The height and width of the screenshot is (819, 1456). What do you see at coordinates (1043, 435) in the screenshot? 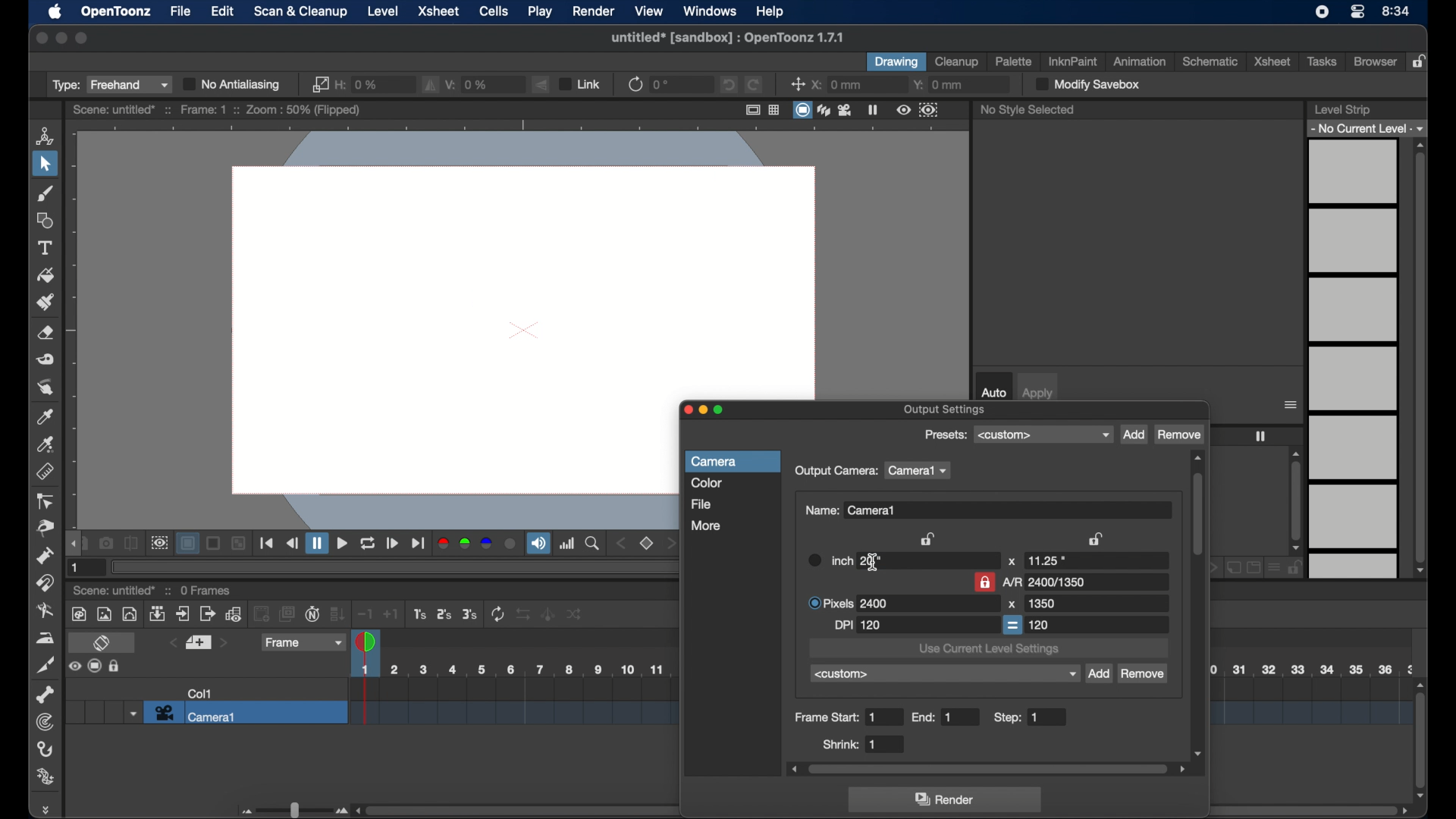
I see `presets` at bounding box center [1043, 435].